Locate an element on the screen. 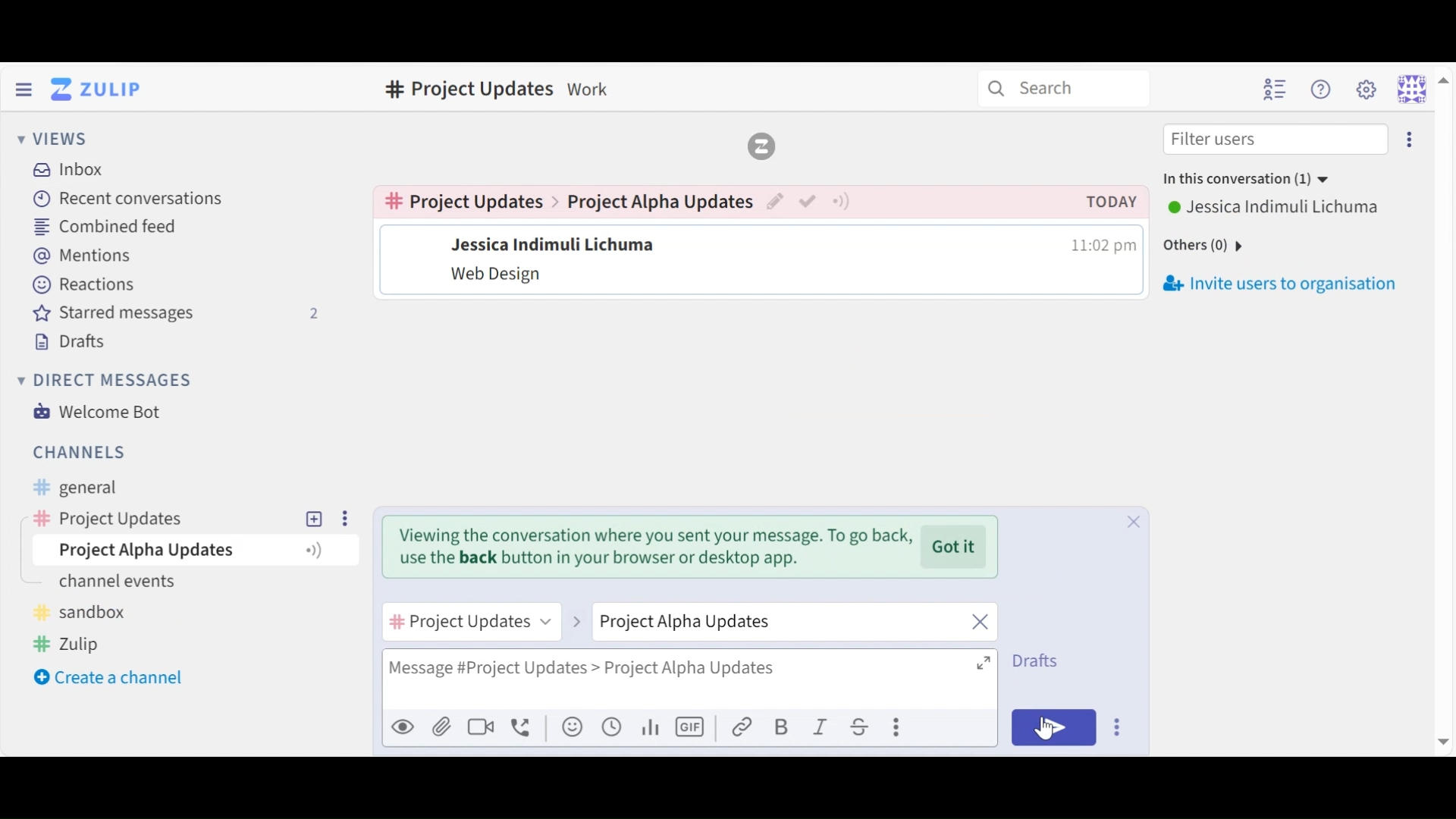  Topic Name is located at coordinates (659, 202).